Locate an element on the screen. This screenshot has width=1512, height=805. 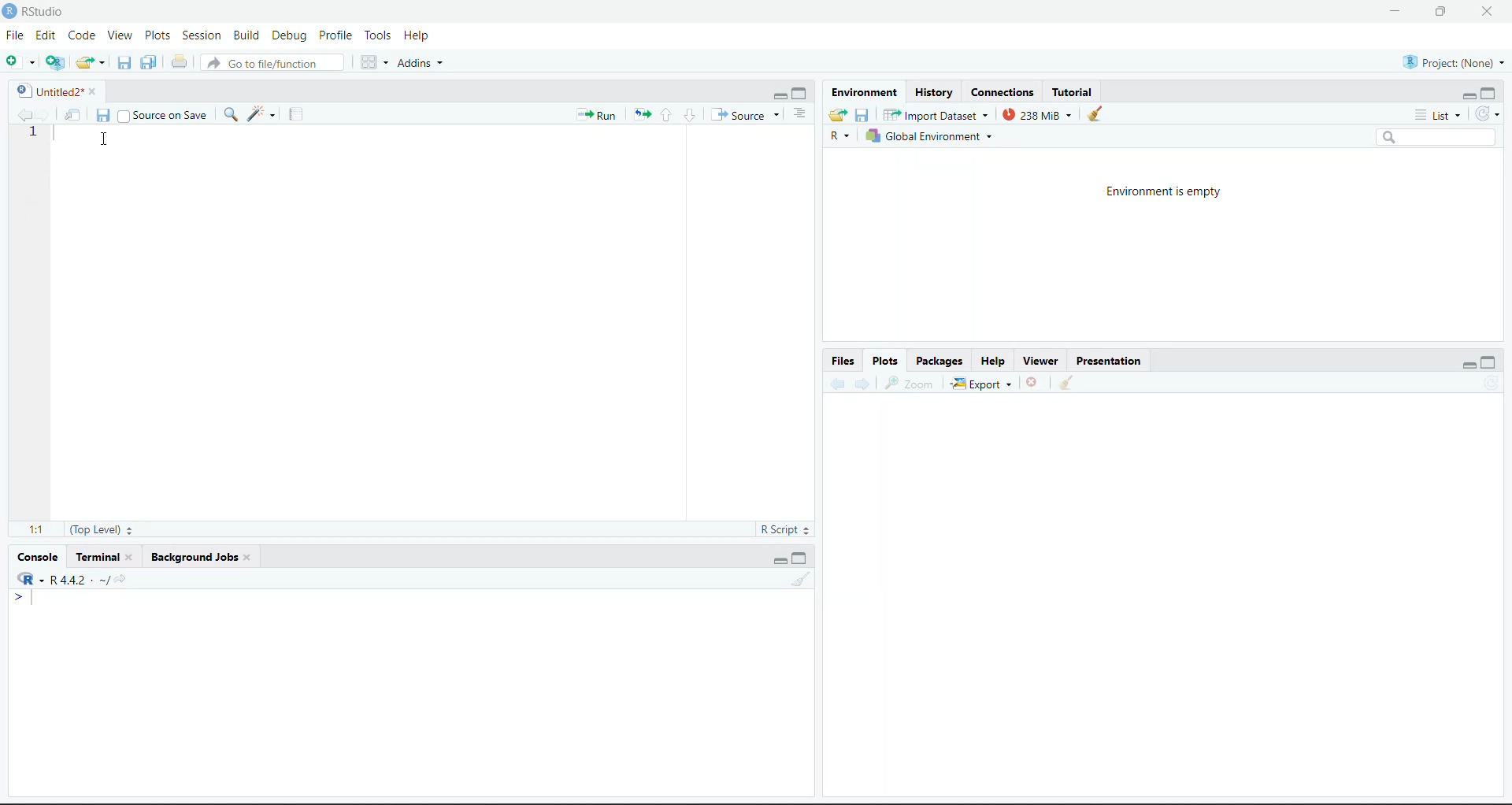
forward is located at coordinates (44, 114).